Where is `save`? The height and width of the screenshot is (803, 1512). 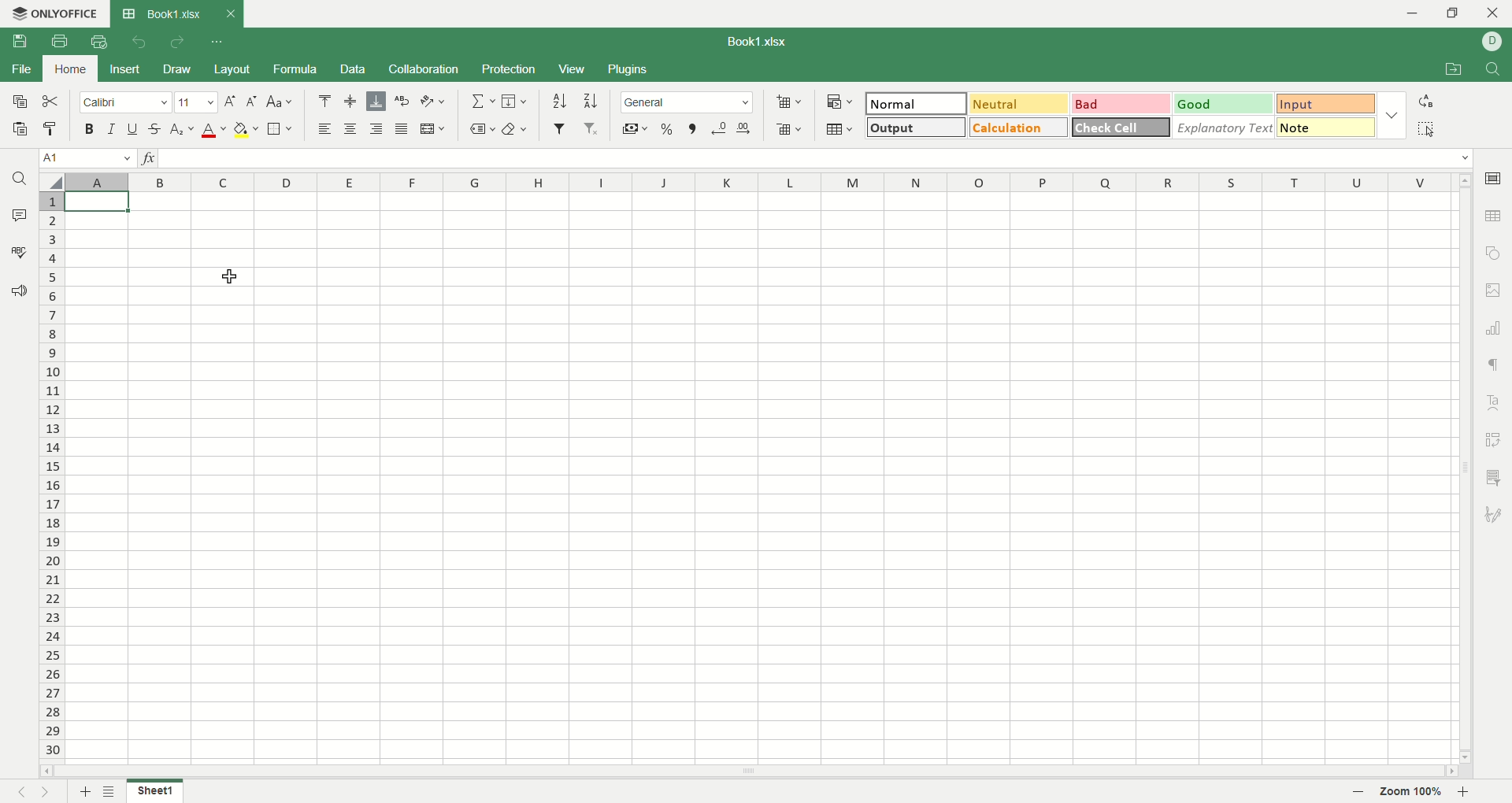 save is located at coordinates (26, 45).